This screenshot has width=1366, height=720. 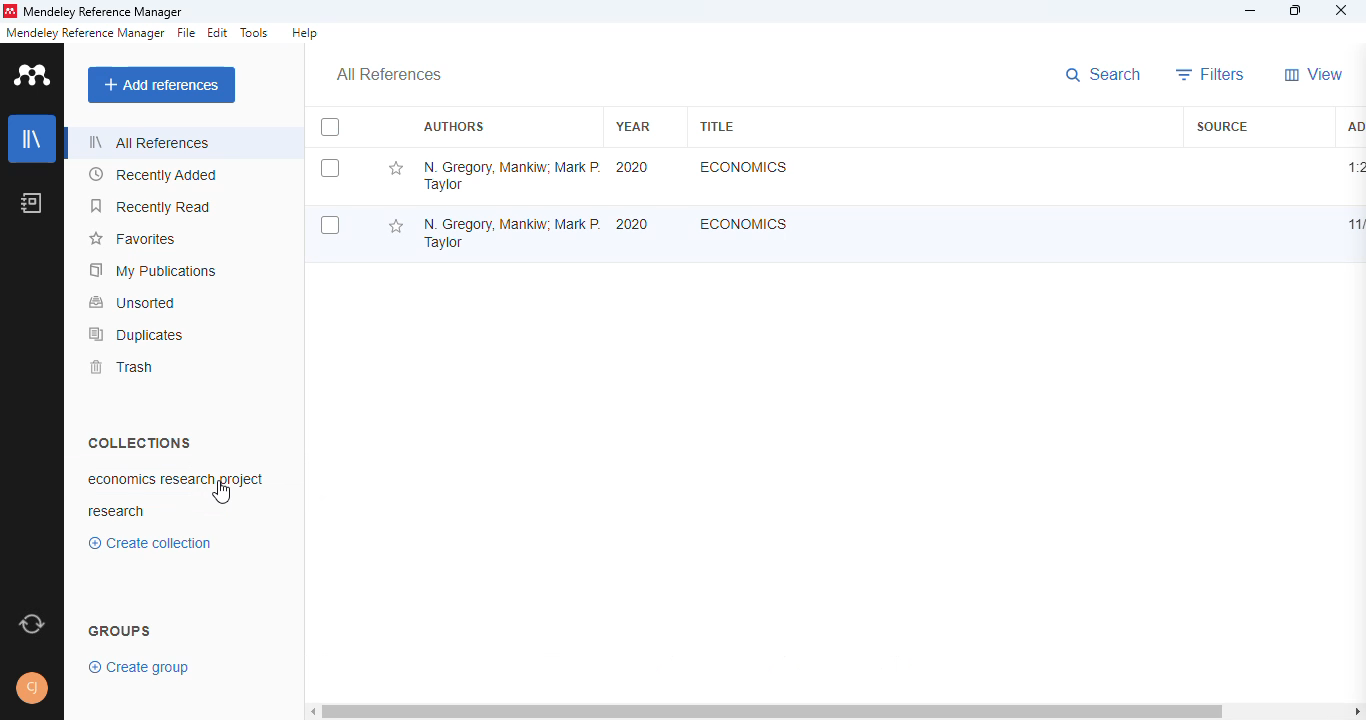 I want to click on create collection, so click(x=155, y=543).